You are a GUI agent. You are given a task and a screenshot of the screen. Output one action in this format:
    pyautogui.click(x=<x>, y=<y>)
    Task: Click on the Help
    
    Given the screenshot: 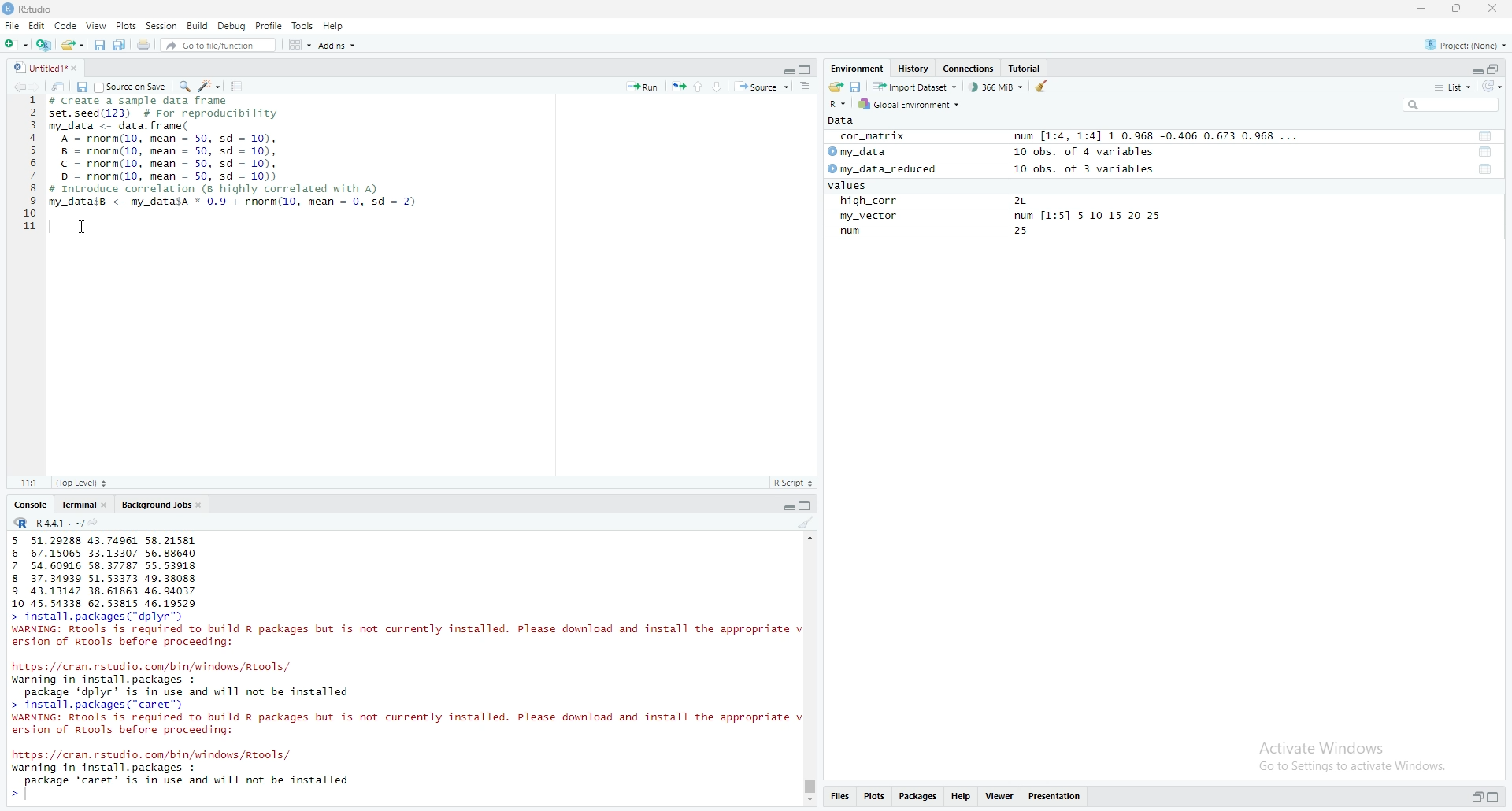 What is the action you would take?
    pyautogui.click(x=961, y=797)
    